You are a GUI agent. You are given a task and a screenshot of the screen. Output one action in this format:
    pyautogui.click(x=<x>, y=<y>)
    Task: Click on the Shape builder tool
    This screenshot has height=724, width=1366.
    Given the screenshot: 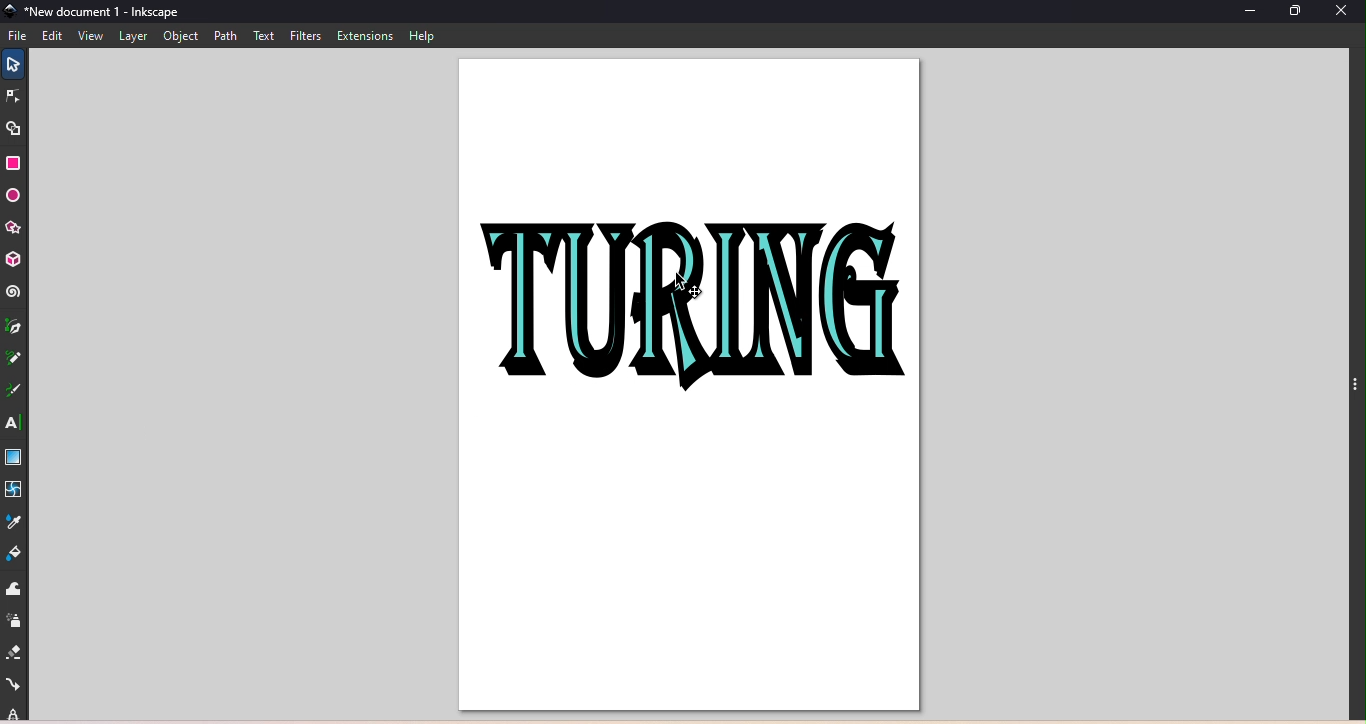 What is the action you would take?
    pyautogui.click(x=19, y=128)
    